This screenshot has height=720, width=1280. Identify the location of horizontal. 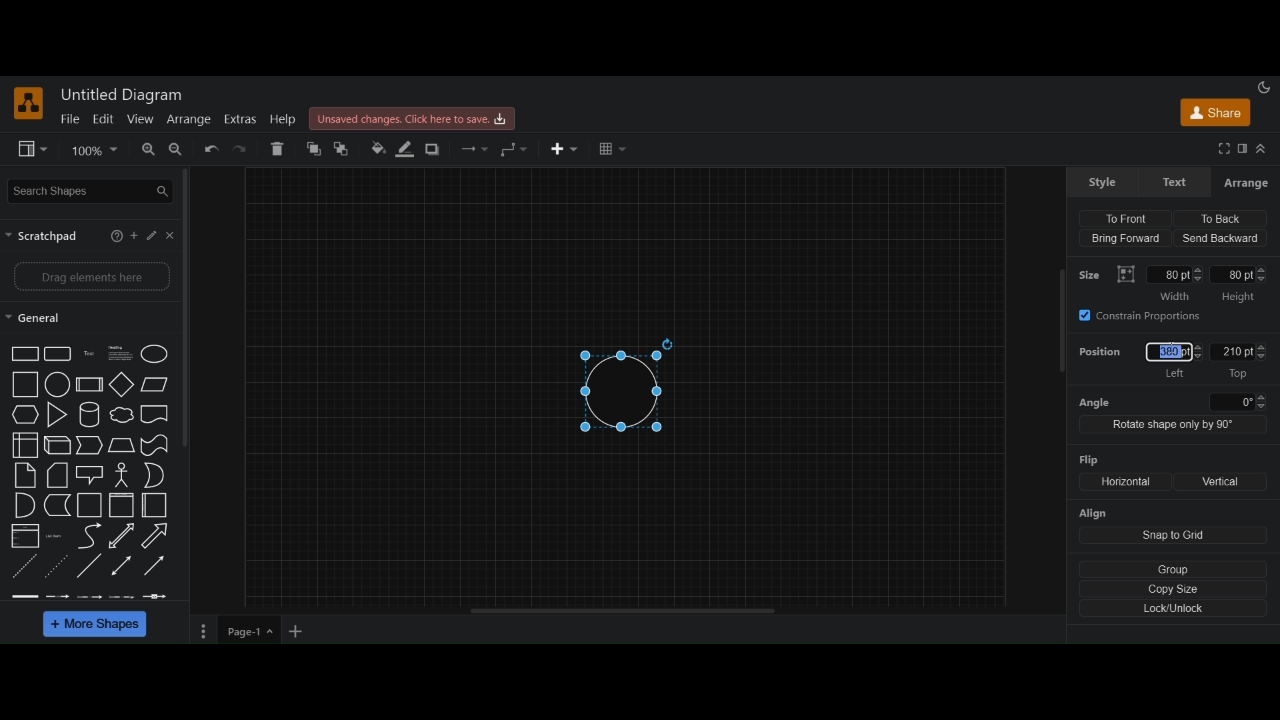
(1123, 481).